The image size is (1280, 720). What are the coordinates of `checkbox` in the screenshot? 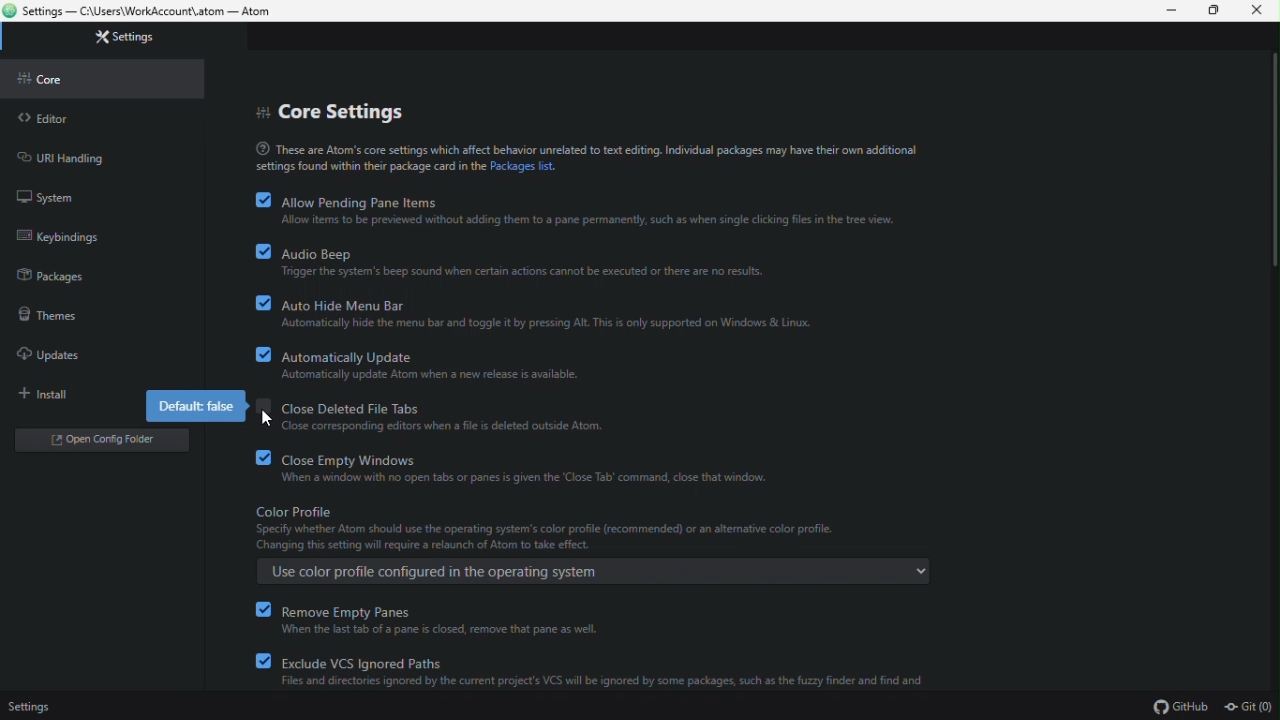 It's located at (259, 303).